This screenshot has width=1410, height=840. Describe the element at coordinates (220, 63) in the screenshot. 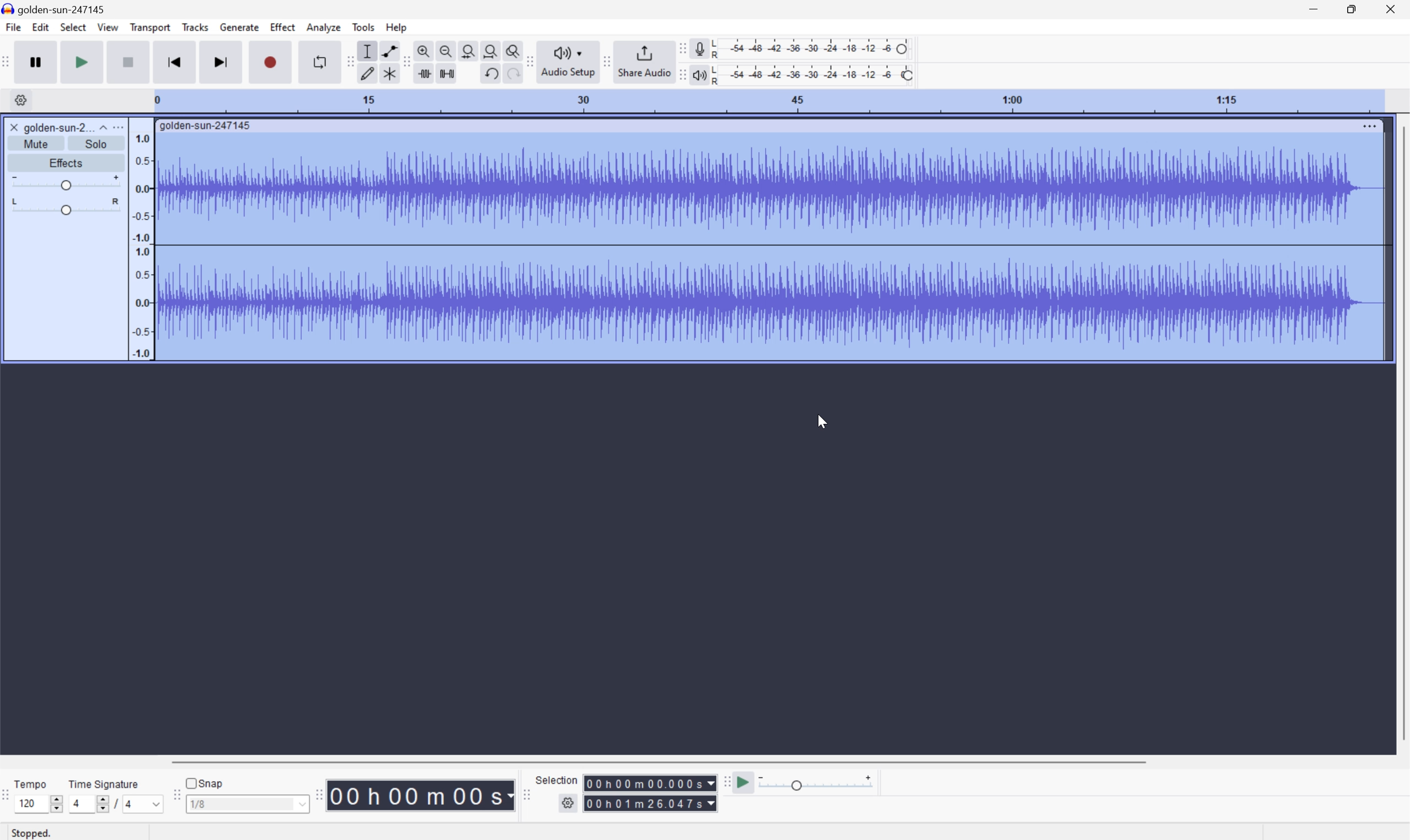

I see `Skip to end` at that location.